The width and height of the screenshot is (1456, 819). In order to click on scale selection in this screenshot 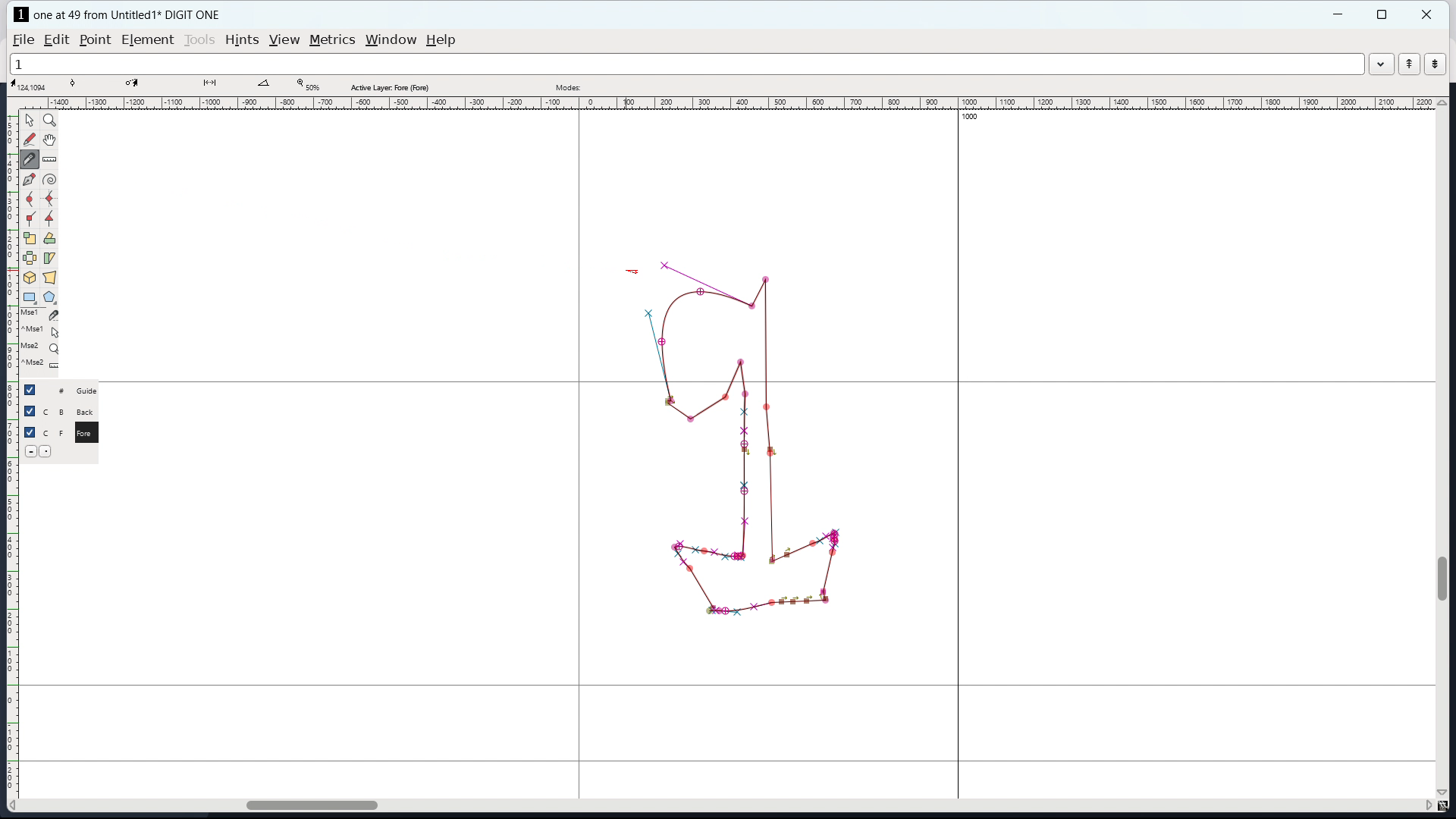, I will do `click(29, 238)`.